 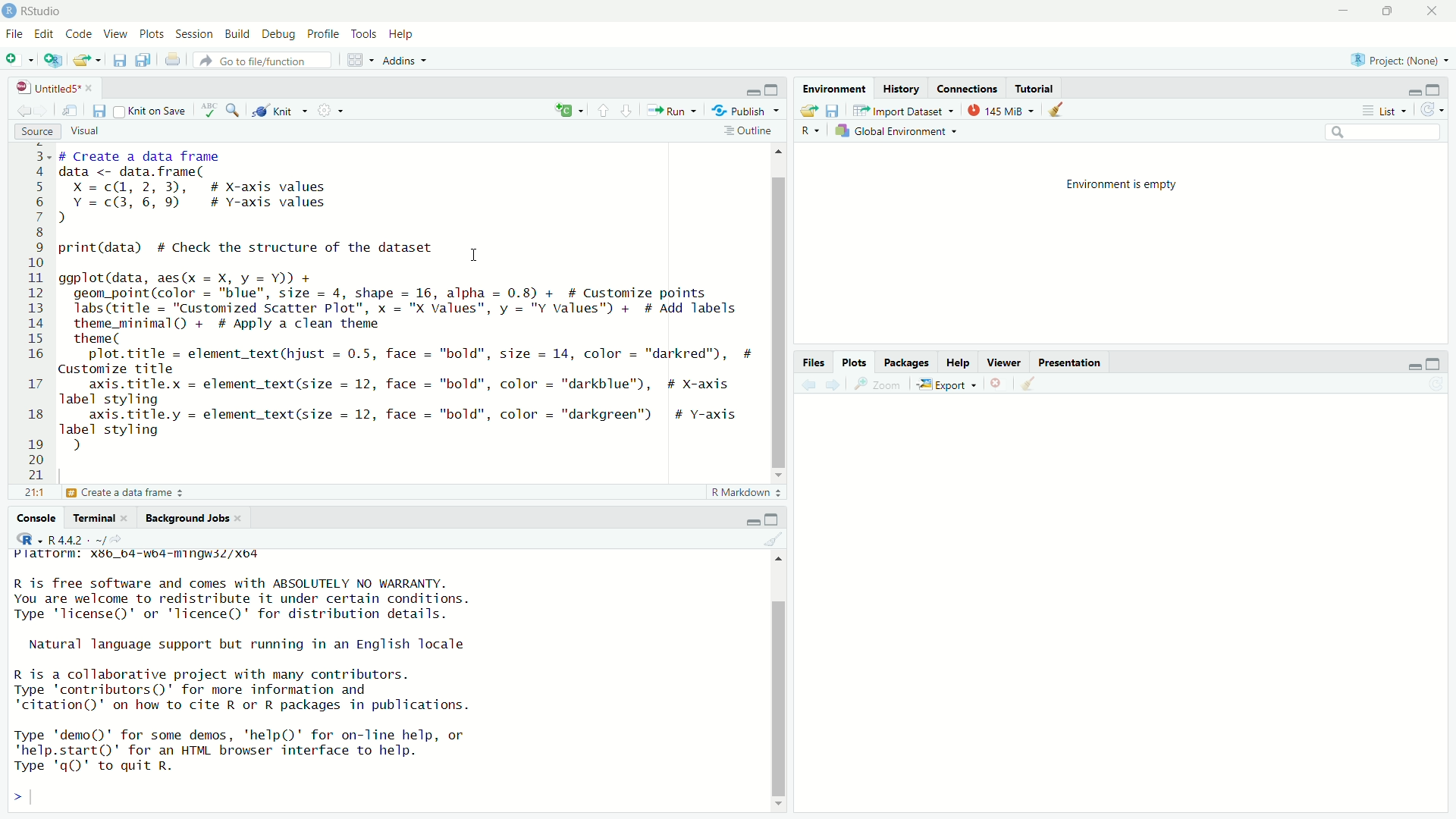 I want to click on Pacakges, so click(x=906, y=364).